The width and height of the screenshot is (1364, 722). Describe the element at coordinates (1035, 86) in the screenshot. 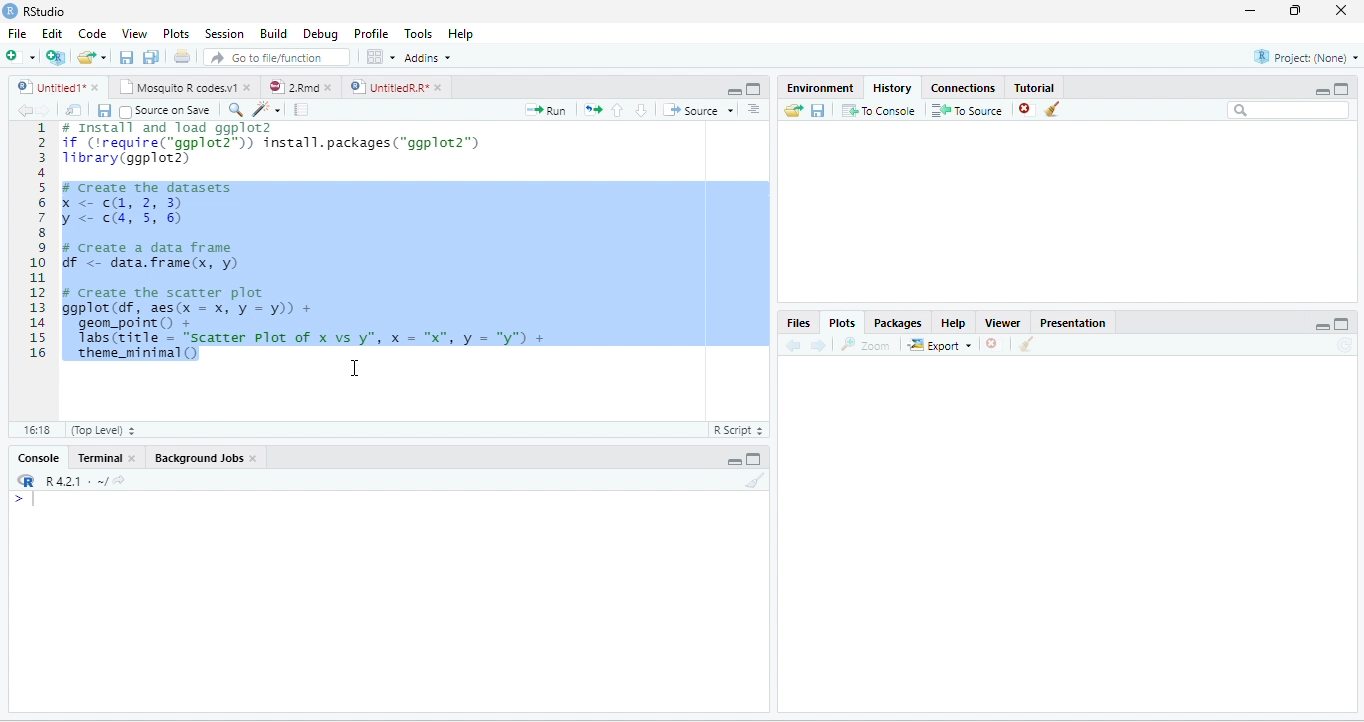

I see `Tutorial` at that location.